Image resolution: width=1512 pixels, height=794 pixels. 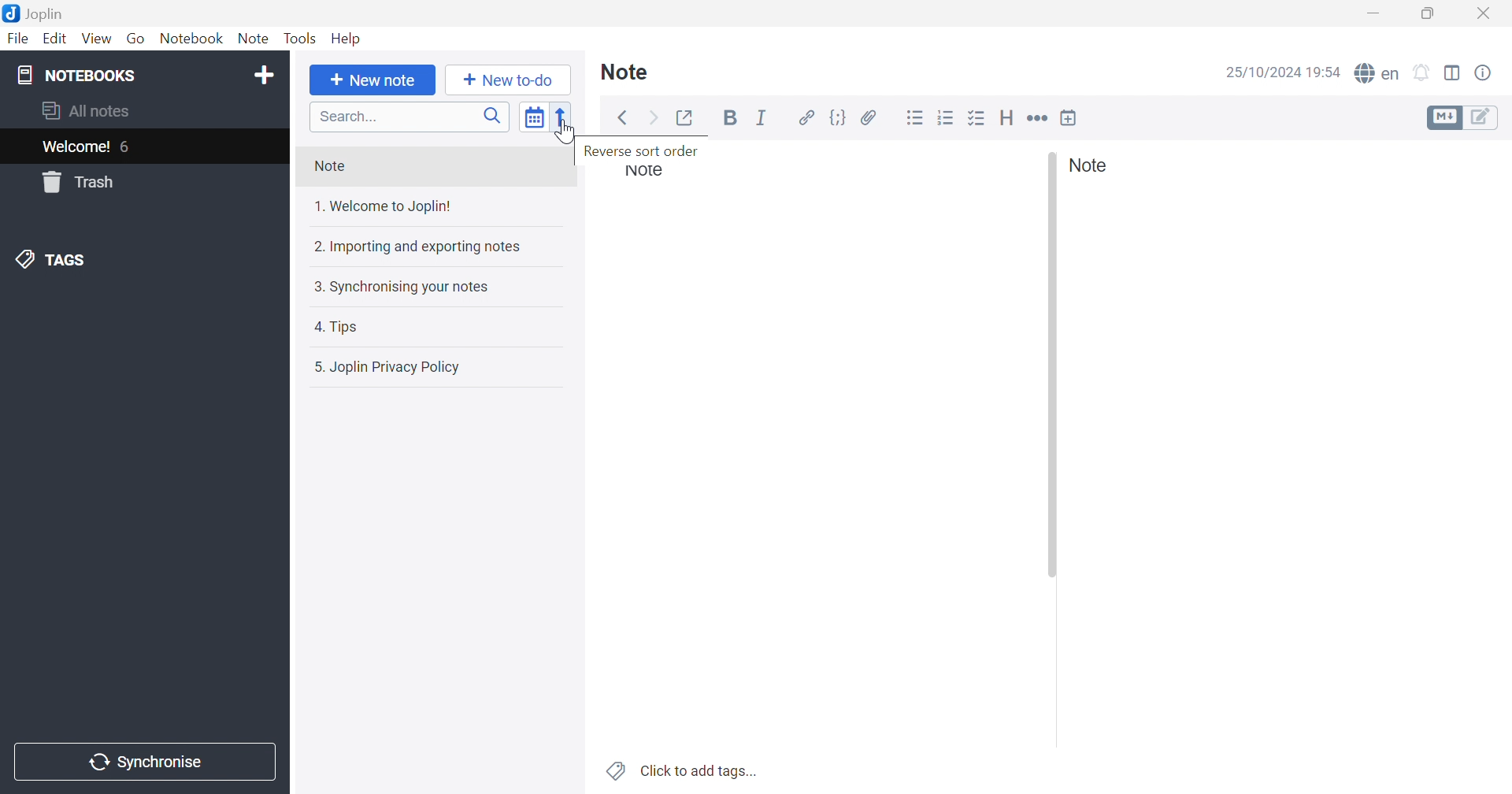 I want to click on 4. Tips, so click(x=339, y=326).